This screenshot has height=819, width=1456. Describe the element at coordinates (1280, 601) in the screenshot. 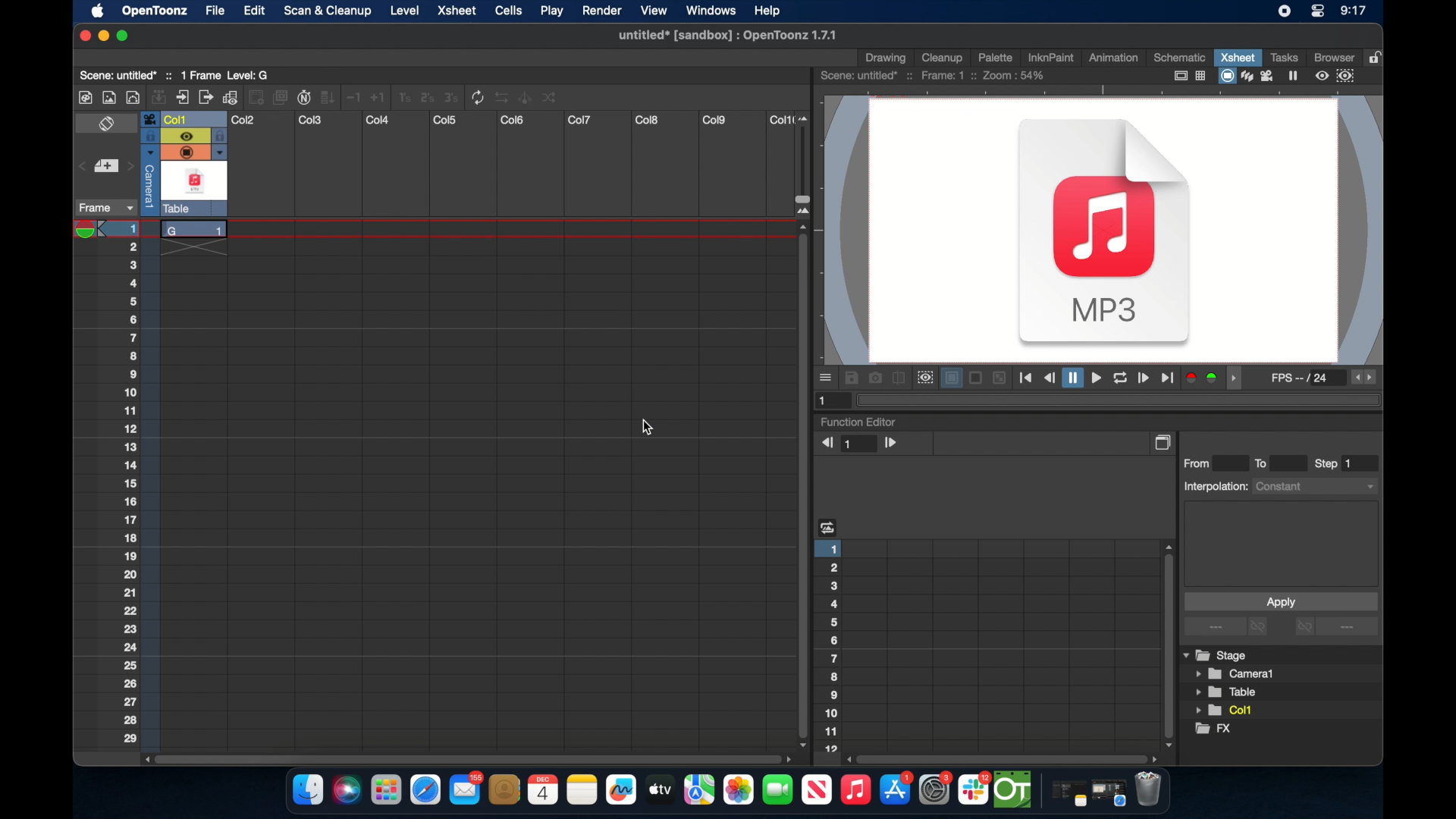

I see `apply` at that location.